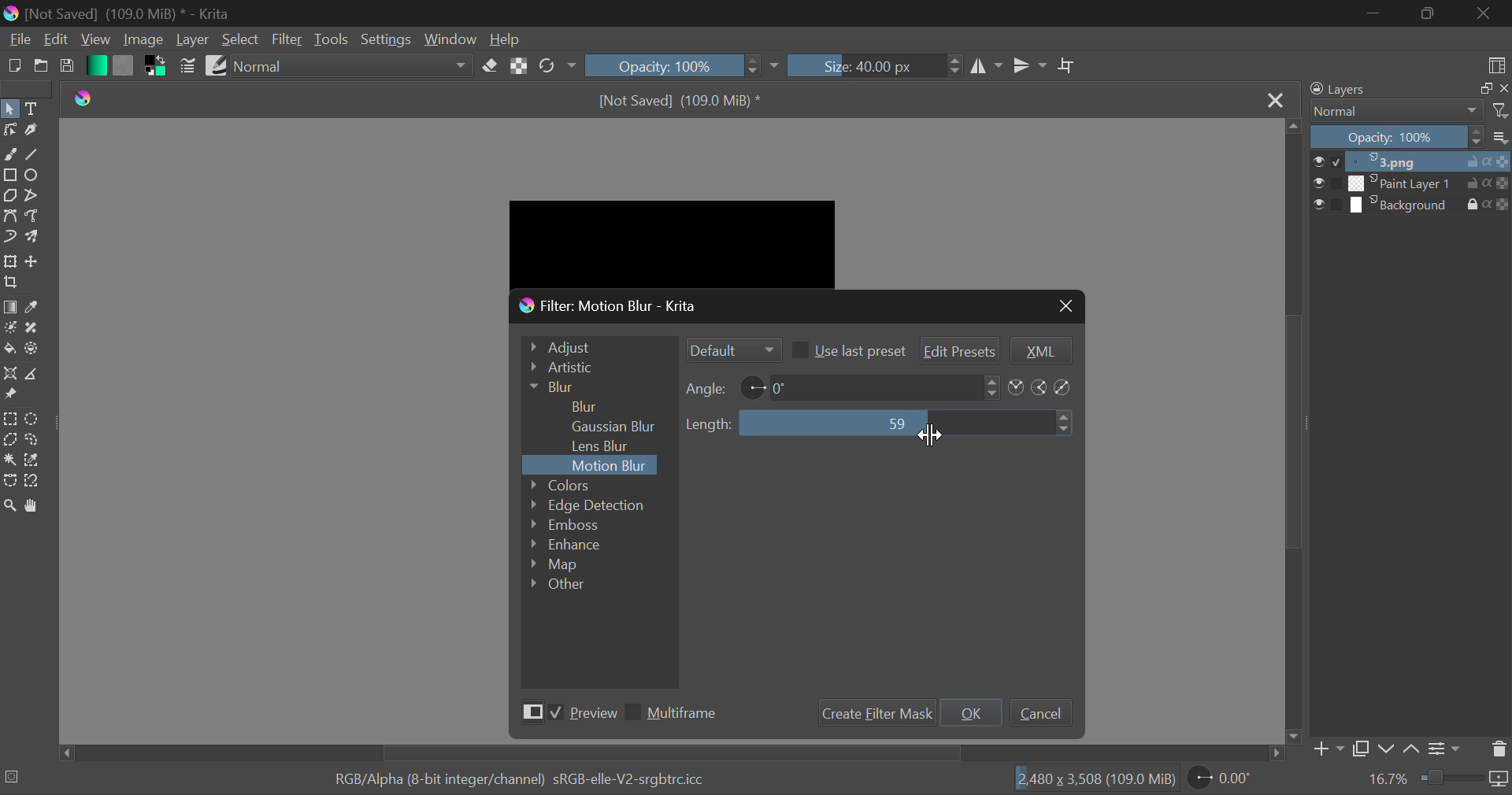 This screenshot has width=1512, height=795. I want to click on angle indicator, so click(753, 386).